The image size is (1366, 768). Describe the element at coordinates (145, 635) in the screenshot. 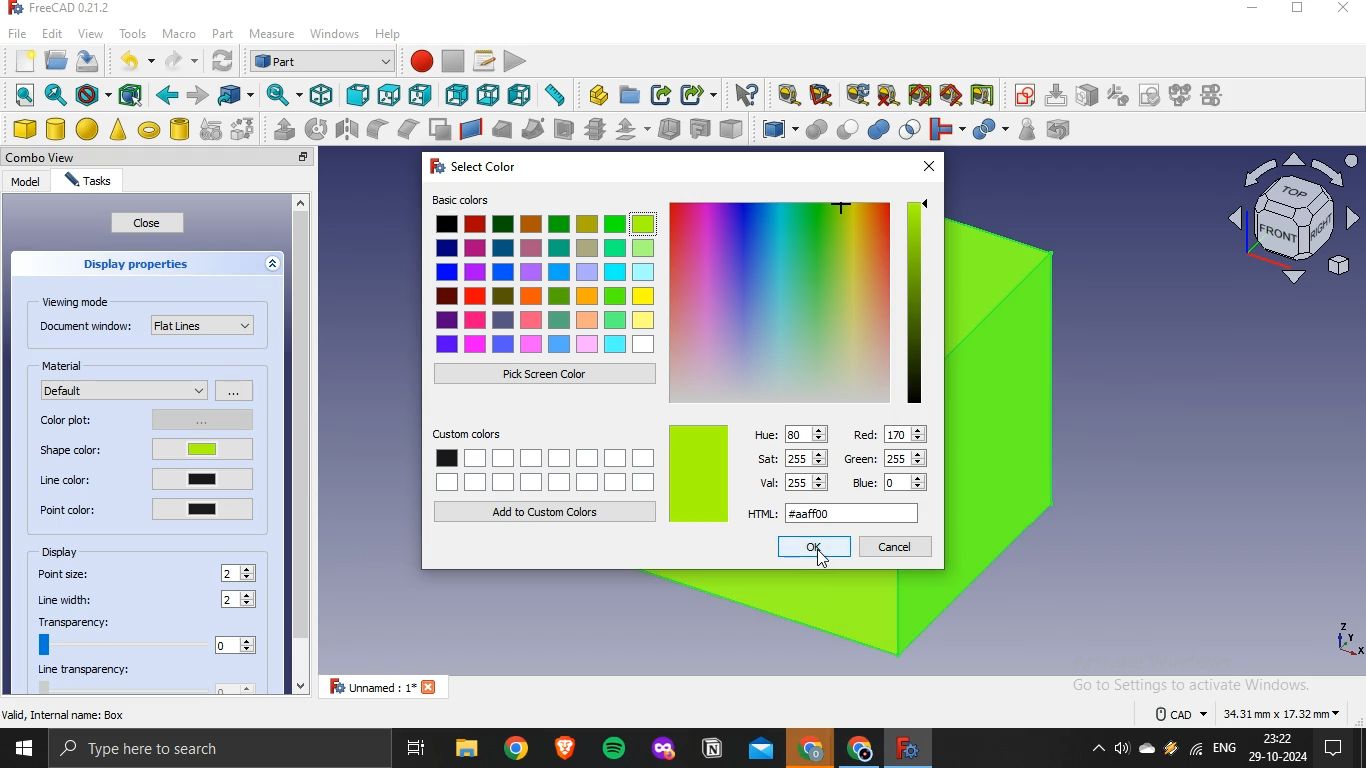

I see `transparency` at that location.